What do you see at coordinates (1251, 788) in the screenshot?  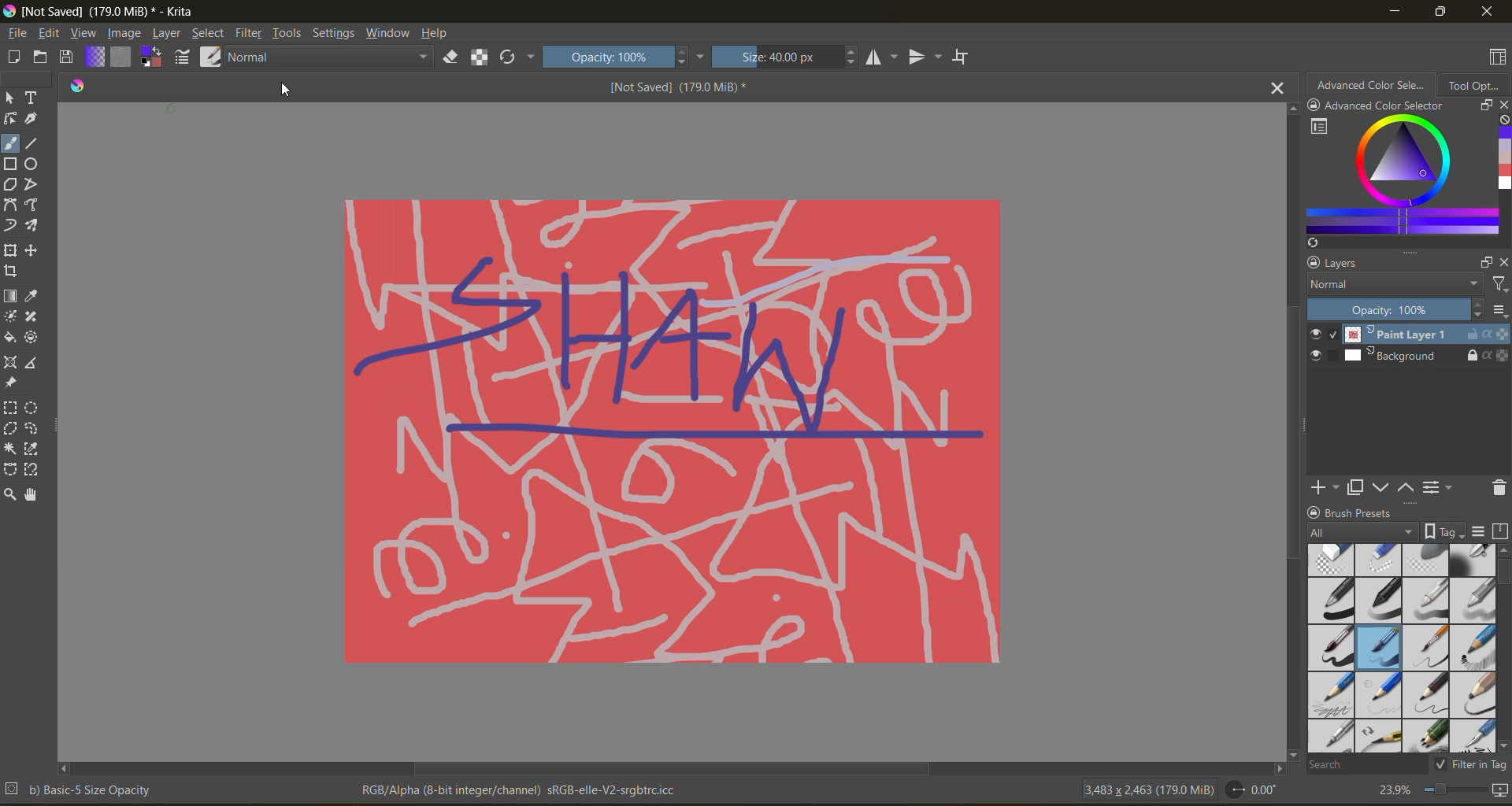 I see `0.00` at bounding box center [1251, 788].